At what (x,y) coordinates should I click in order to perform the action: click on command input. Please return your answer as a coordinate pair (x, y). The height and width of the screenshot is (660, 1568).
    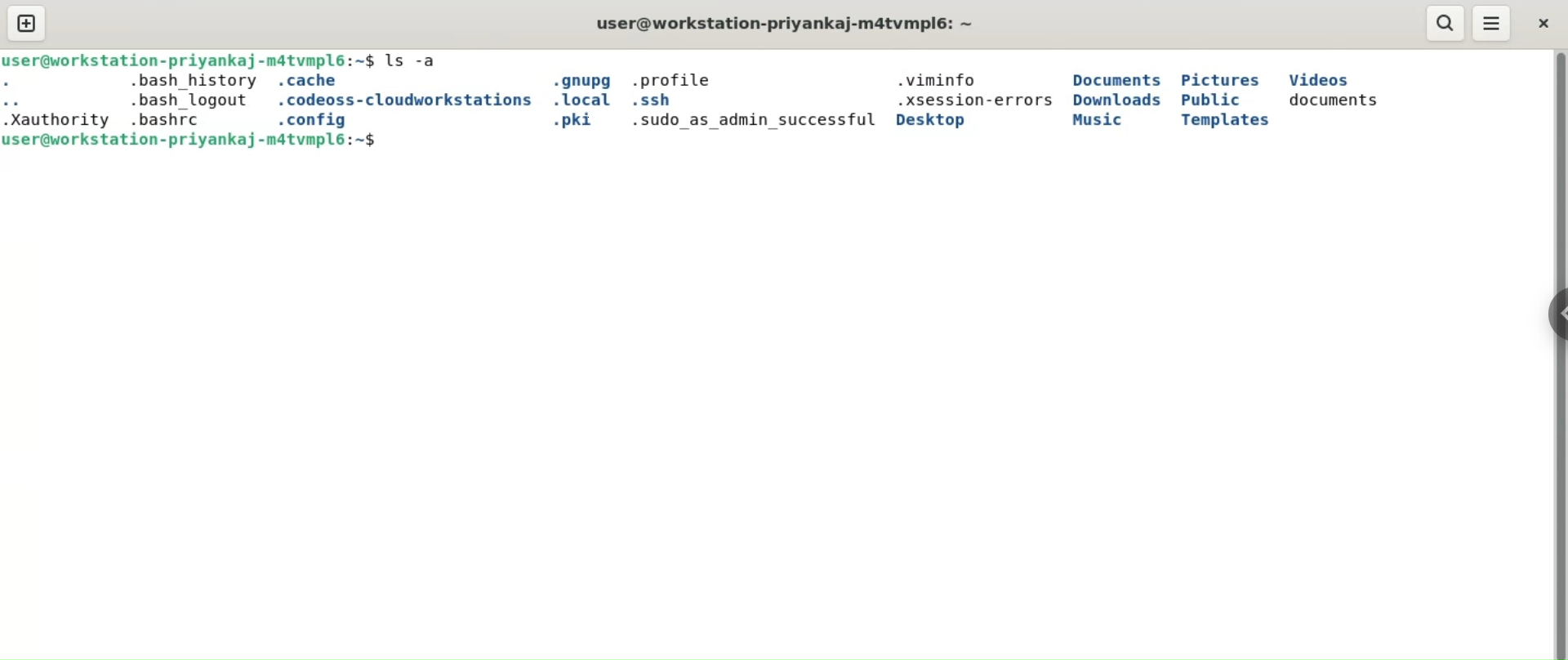
    Looking at the image, I should click on (953, 141).